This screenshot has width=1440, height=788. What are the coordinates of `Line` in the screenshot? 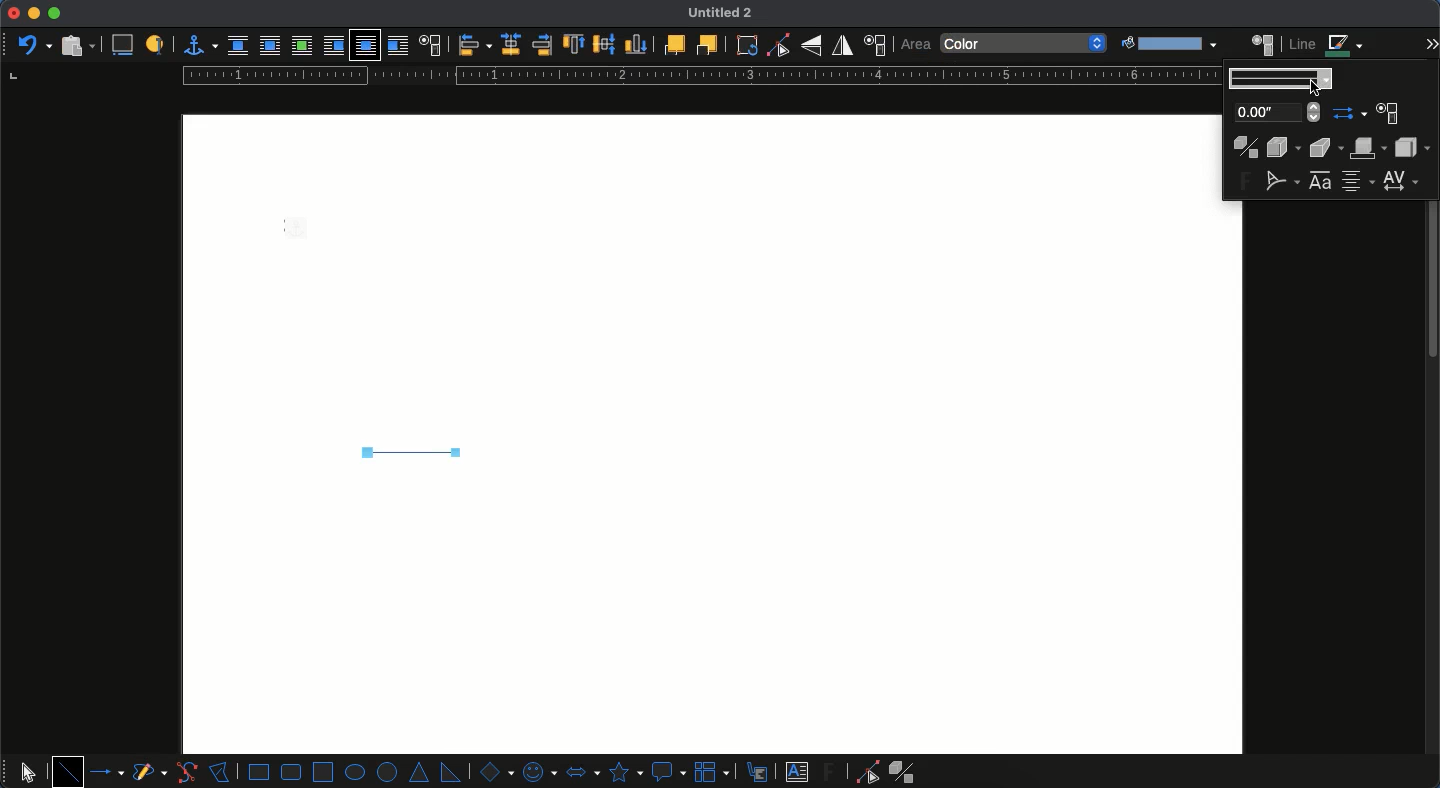 It's located at (408, 452).